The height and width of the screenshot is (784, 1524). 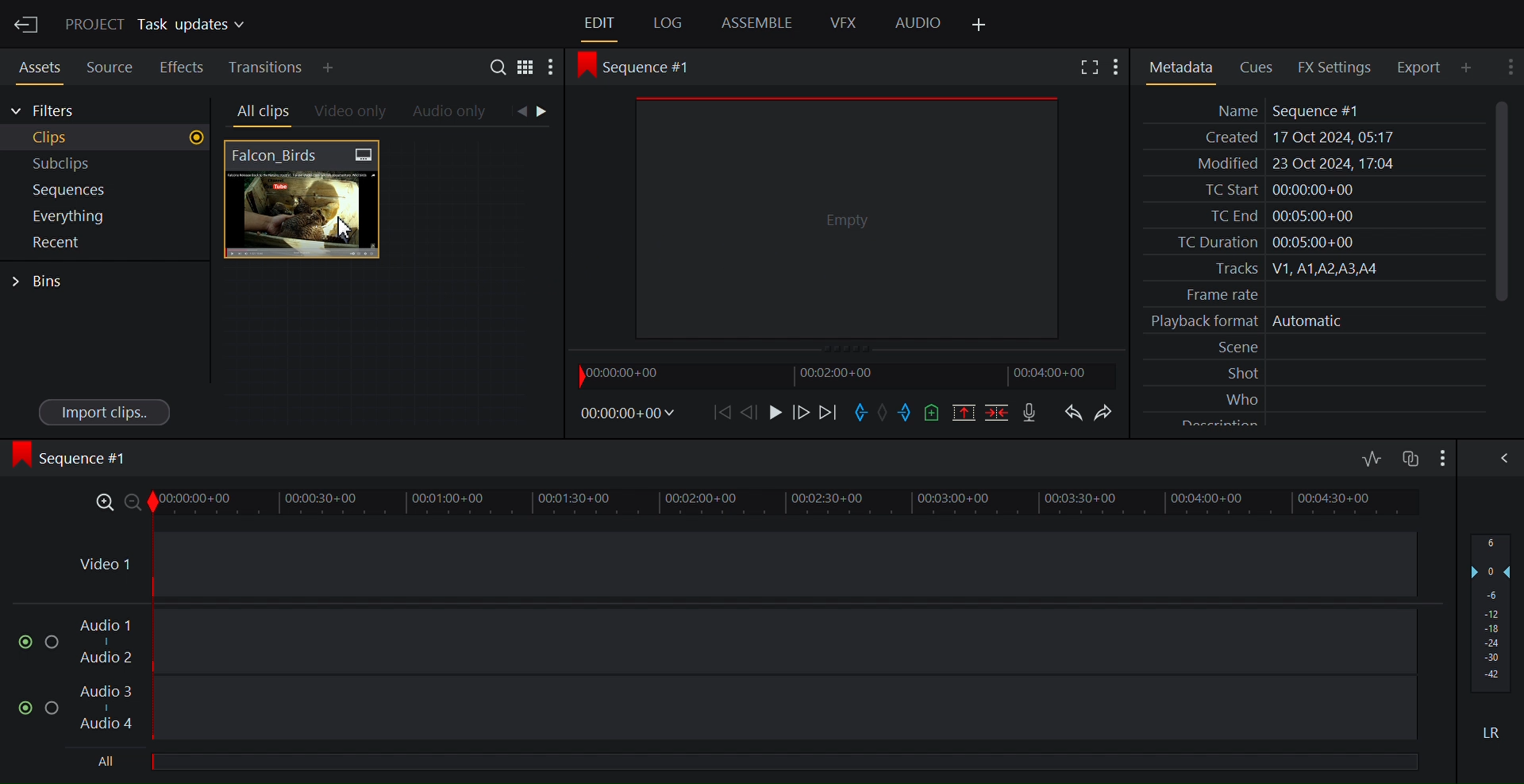 I want to click on Cues, so click(x=1261, y=66).